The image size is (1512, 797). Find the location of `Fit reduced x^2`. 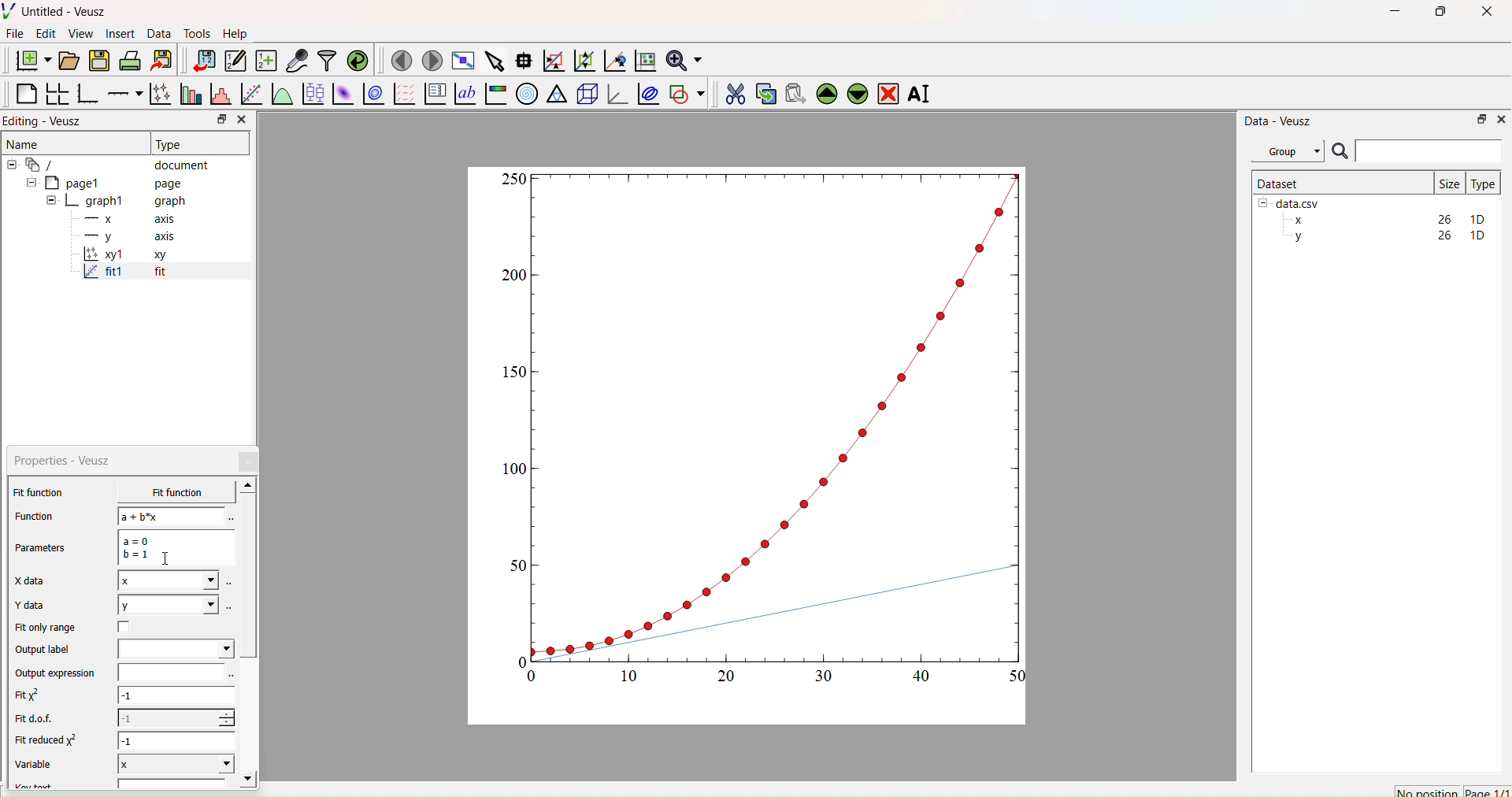

Fit reduced x^2 is located at coordinates (49, 740).